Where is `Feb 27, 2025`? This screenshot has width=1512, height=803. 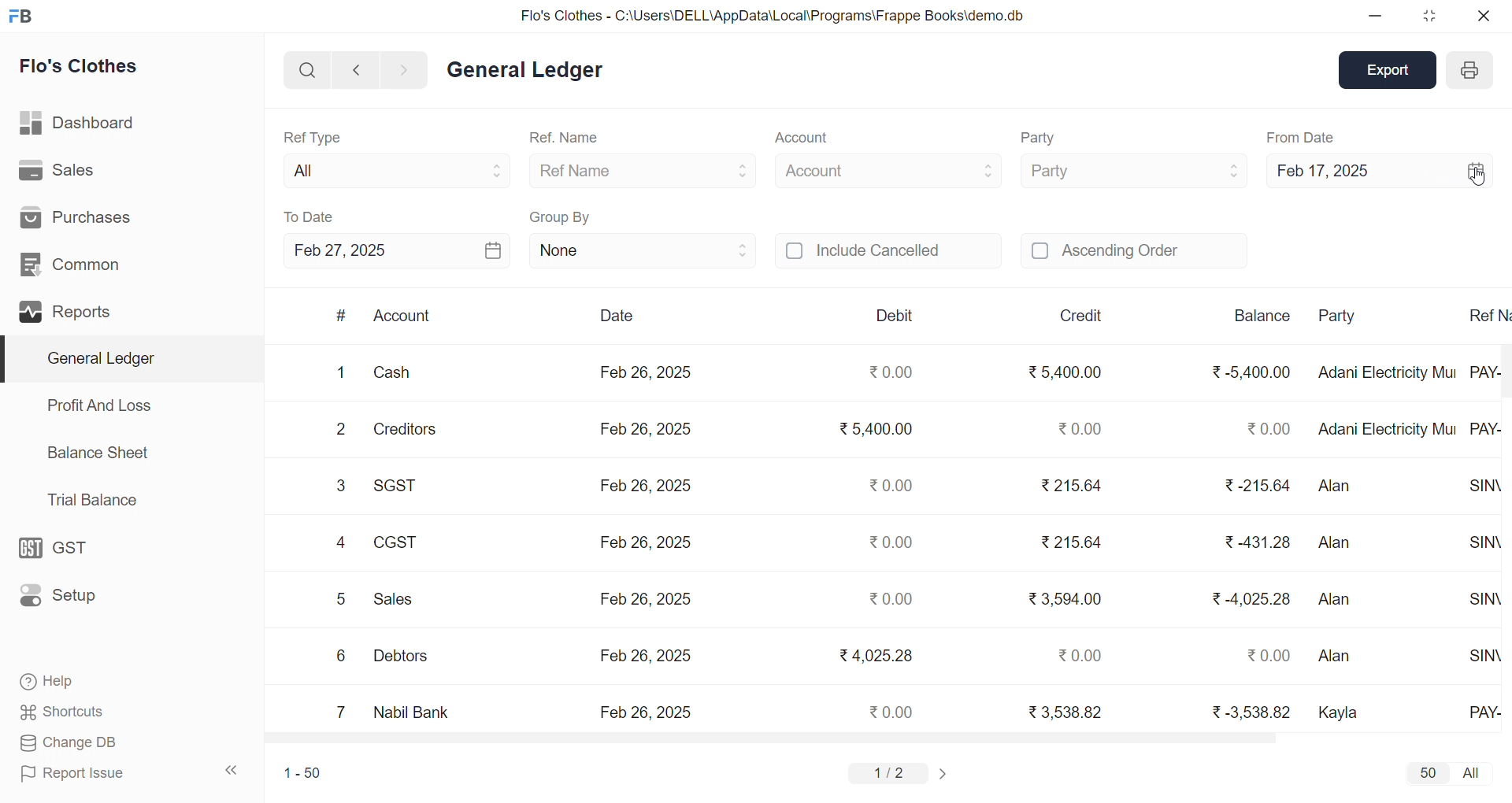
Feb 27, 2025 is located at coordinates (397, 250).